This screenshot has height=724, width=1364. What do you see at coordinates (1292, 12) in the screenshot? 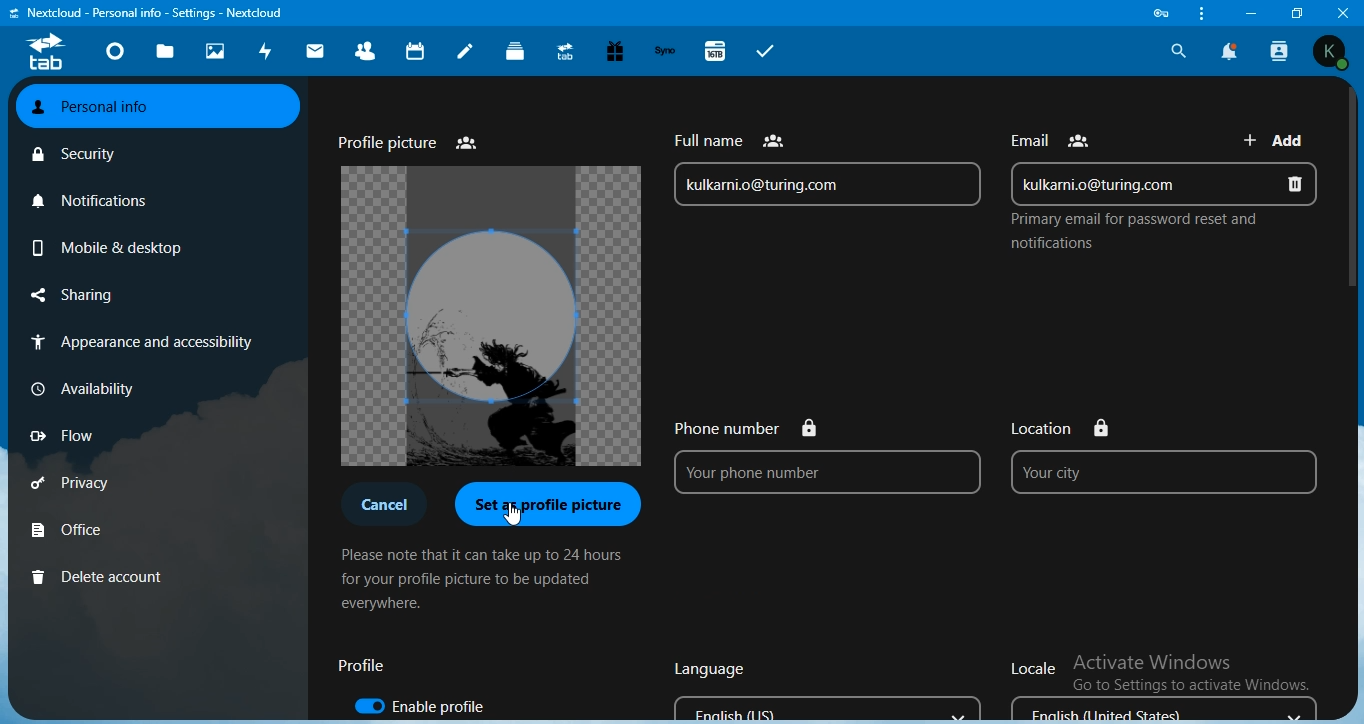
I see `restore window` at bounding box center [1292, 12].